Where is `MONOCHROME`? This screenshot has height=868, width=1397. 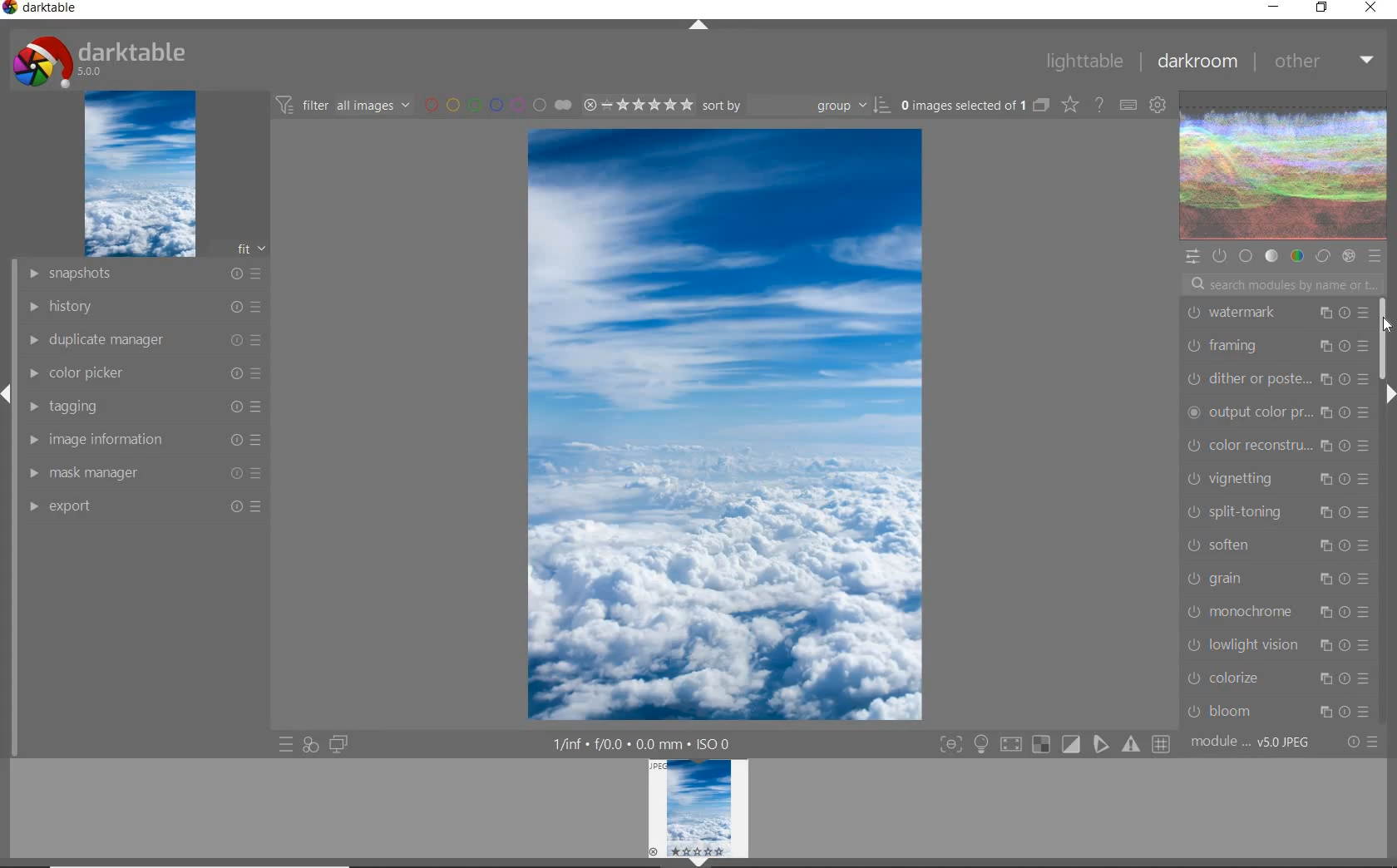
MONOCHROME is located at coordinates (1276, 614).